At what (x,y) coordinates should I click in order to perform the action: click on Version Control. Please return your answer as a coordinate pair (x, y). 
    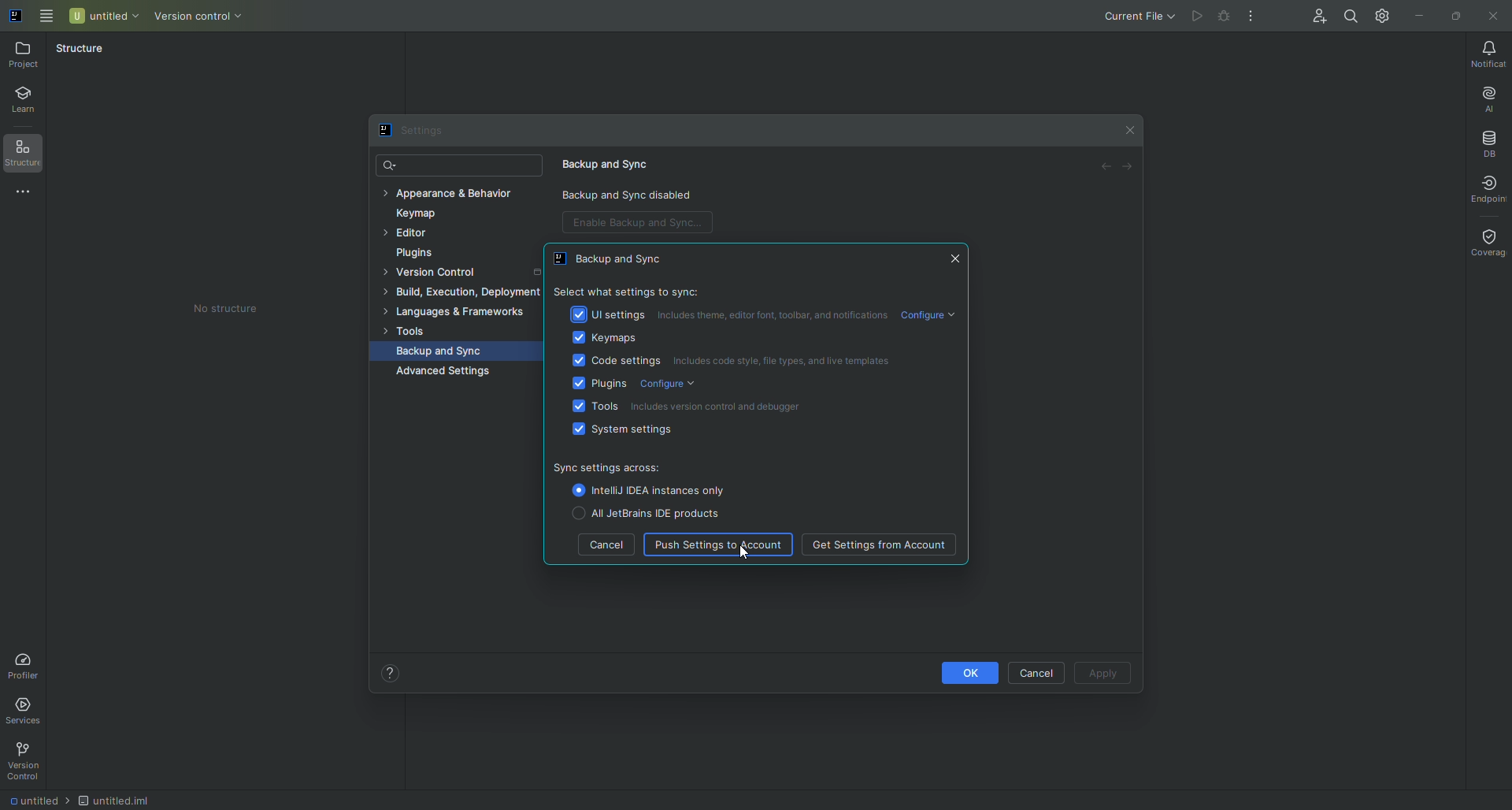
    Looking at the image, I should click on (28, 761).